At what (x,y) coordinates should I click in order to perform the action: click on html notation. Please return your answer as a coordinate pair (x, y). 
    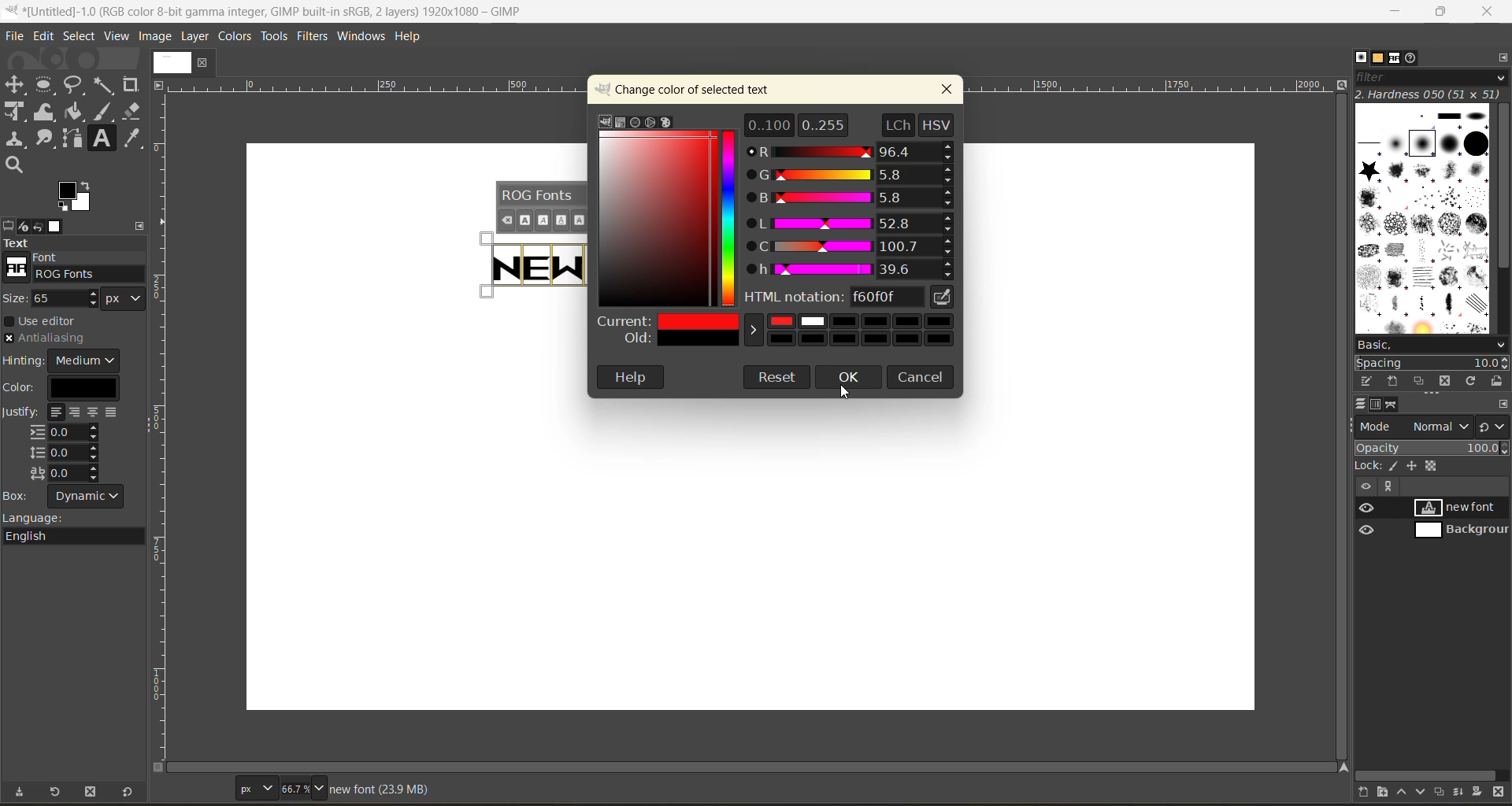
    Looking at the image, I should click on (855, 294).